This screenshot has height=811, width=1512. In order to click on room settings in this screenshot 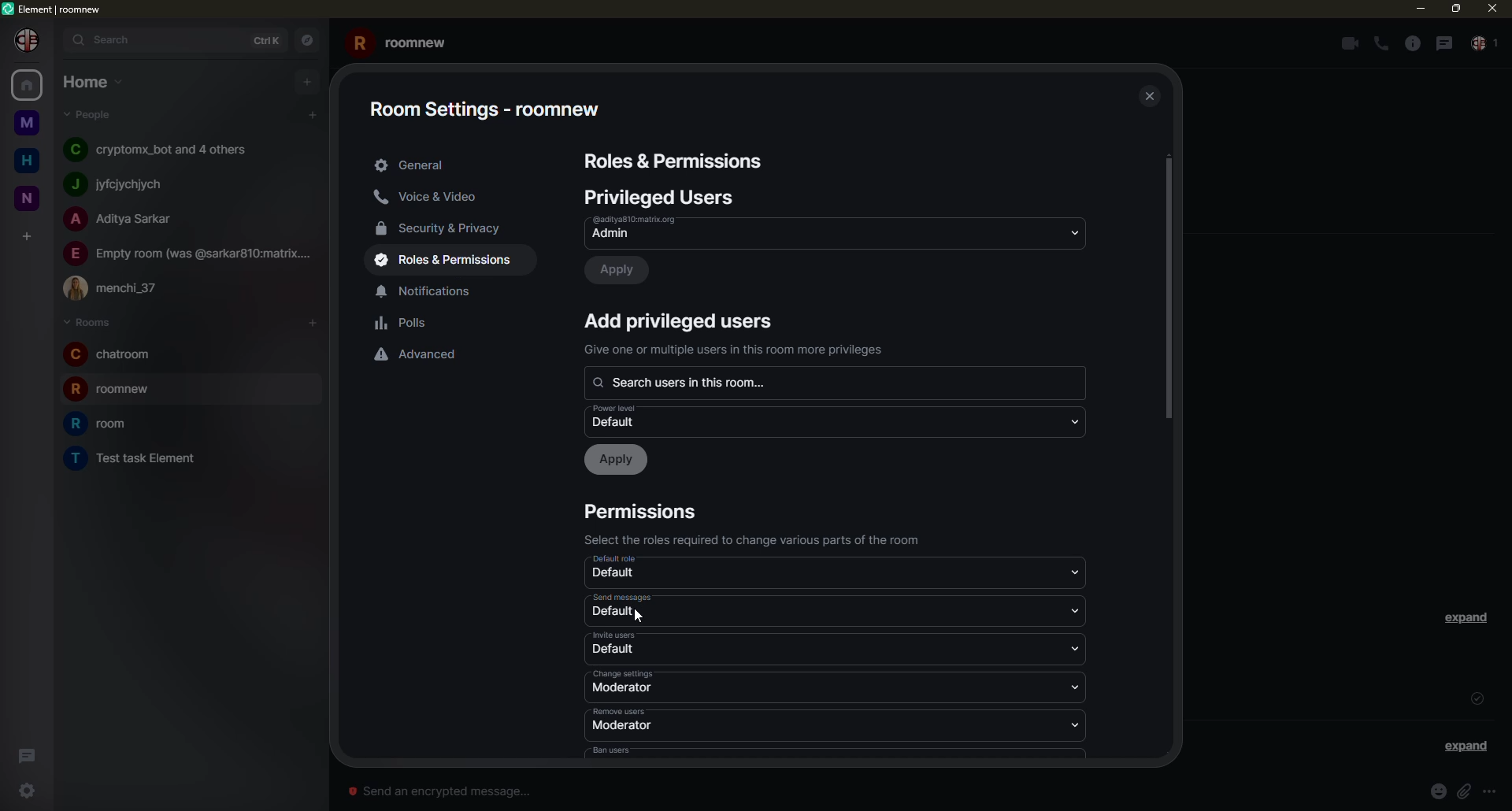, I will do `click(492, 104)`.